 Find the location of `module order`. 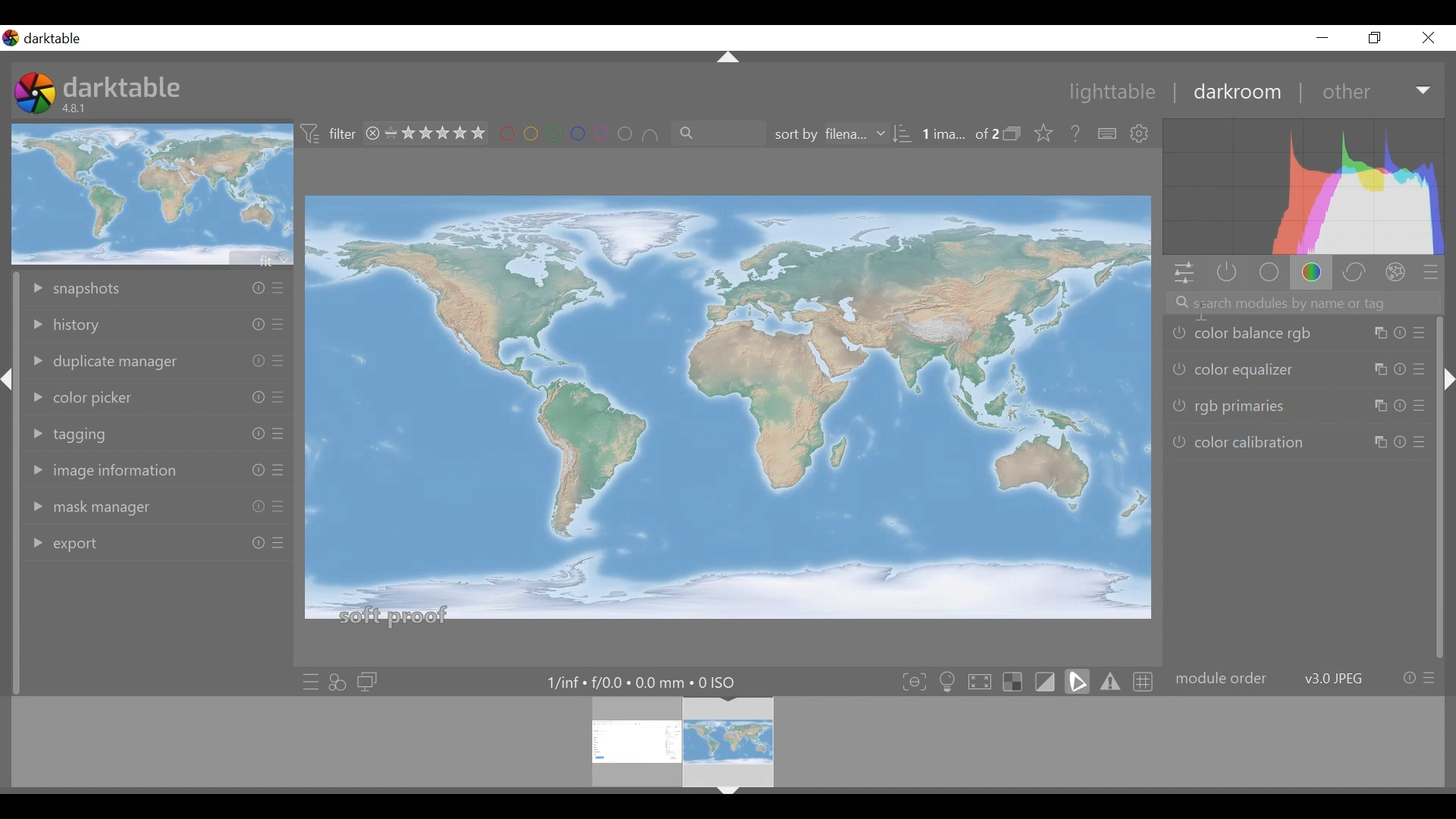

module order is located at coordinates (1304, 679).